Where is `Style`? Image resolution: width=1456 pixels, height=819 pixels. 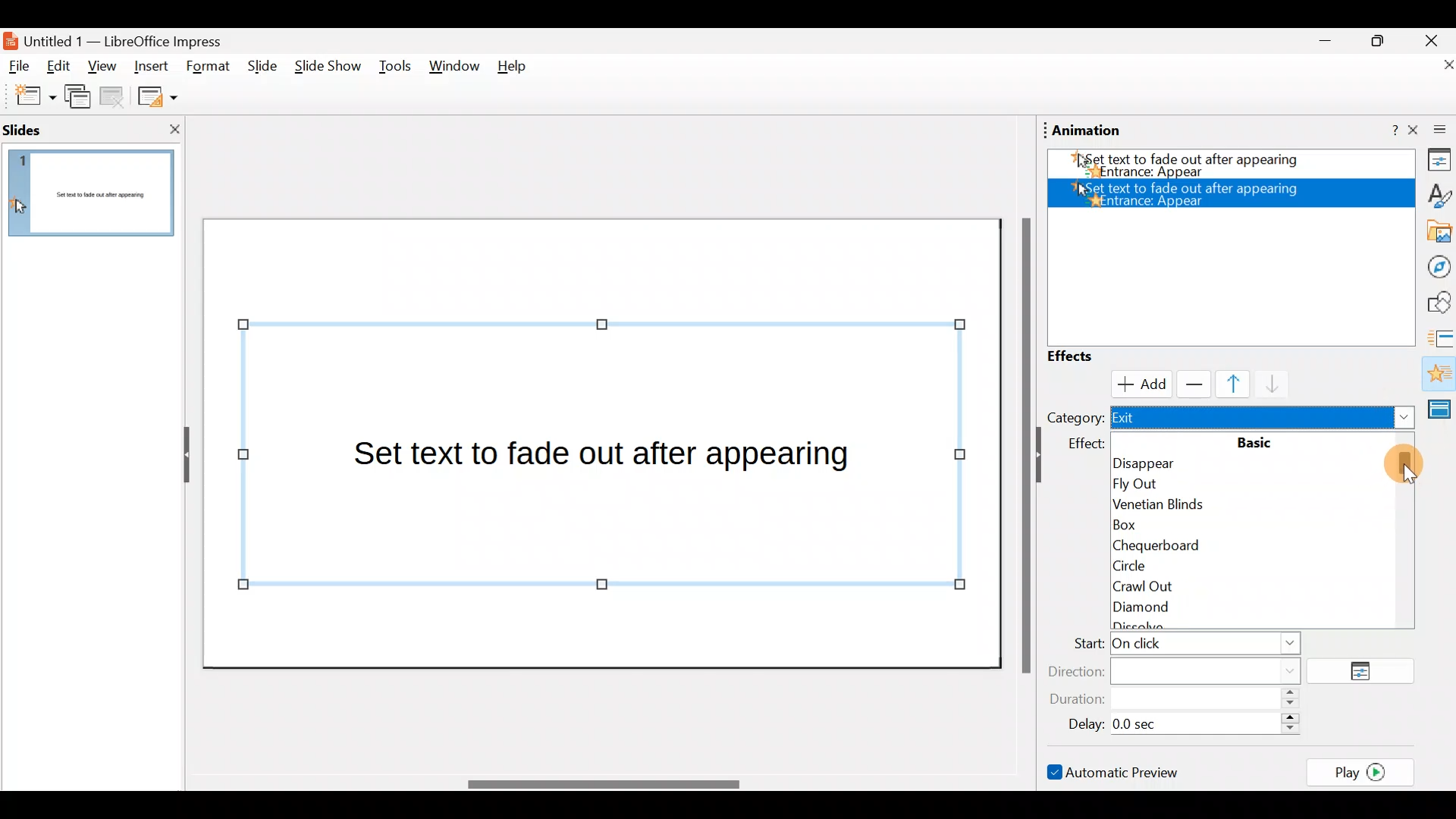
Style is located at coordinates (1434, 194).